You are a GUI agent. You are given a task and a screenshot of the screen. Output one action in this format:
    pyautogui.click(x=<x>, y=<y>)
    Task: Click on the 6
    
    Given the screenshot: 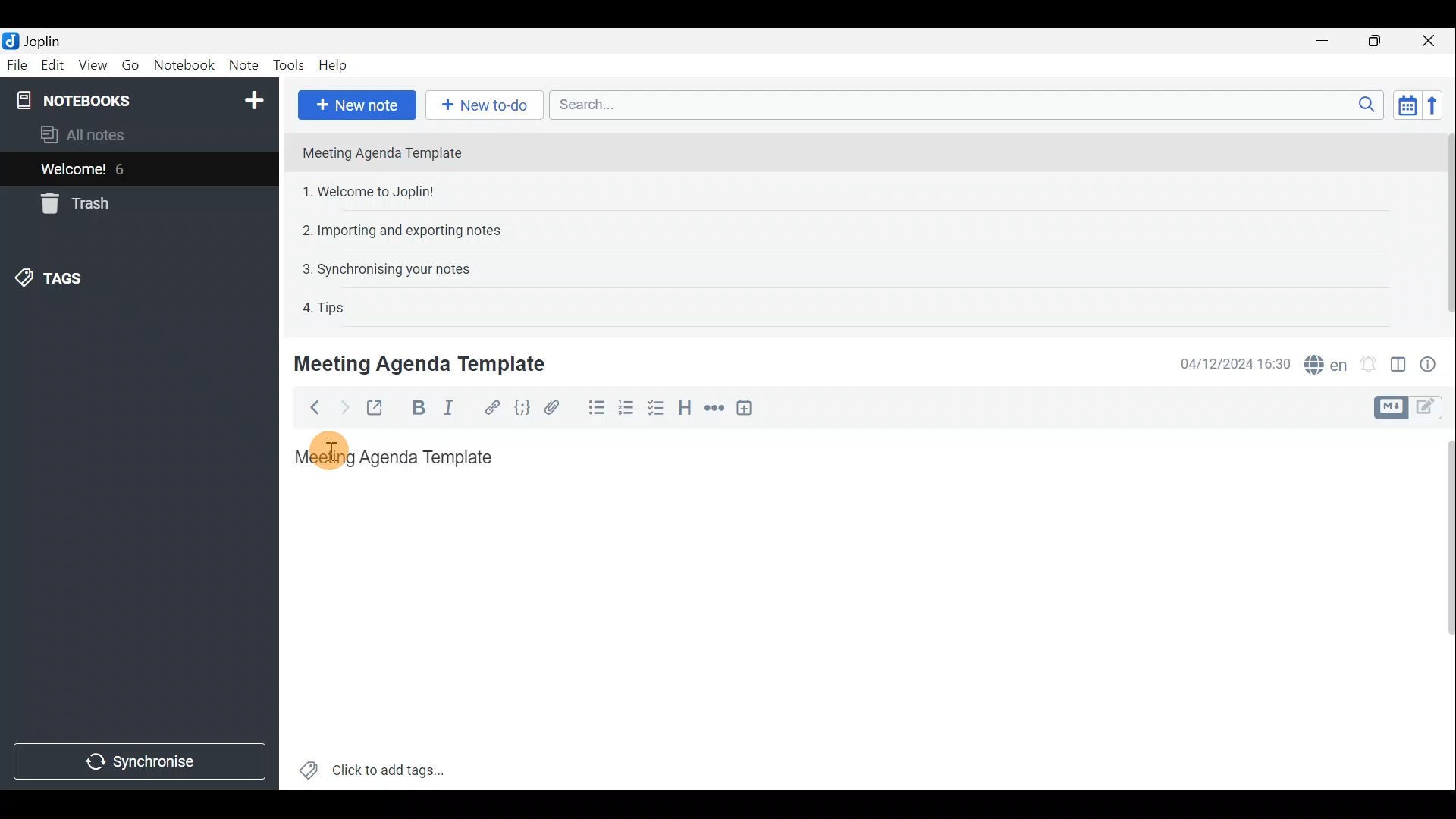 What is the action you would take?
    pyautogui.click(x=124, y=169)
    